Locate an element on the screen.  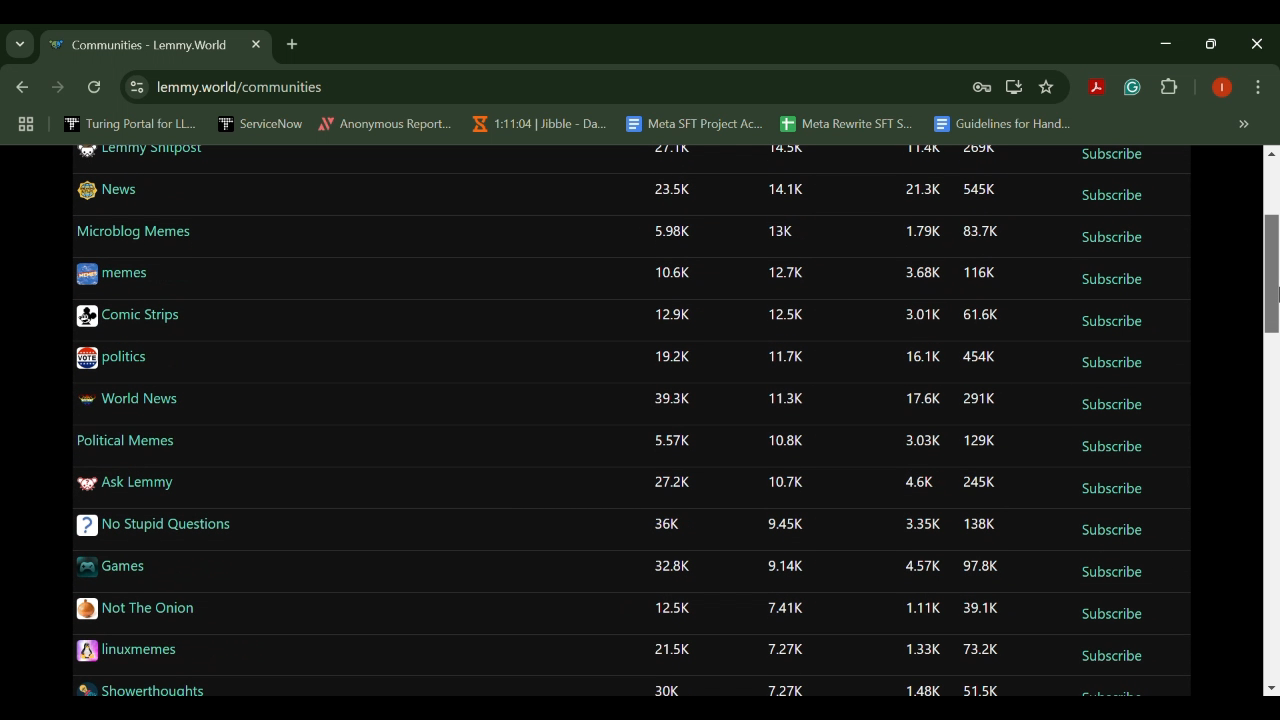
14.5K is located at coordinates (786, 148).